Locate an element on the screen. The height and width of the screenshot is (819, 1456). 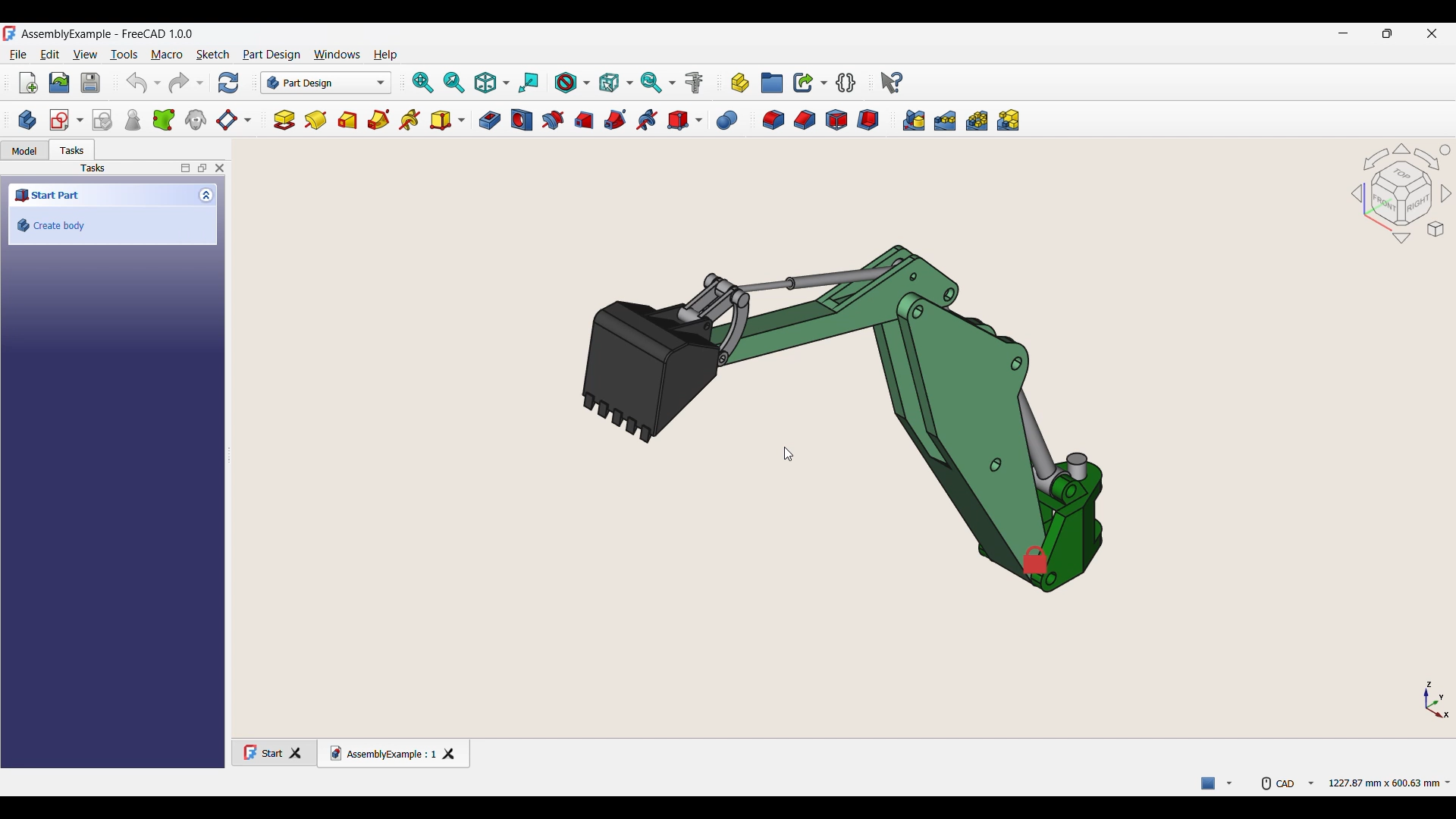
Software logo is located at coordinates (9, 33).